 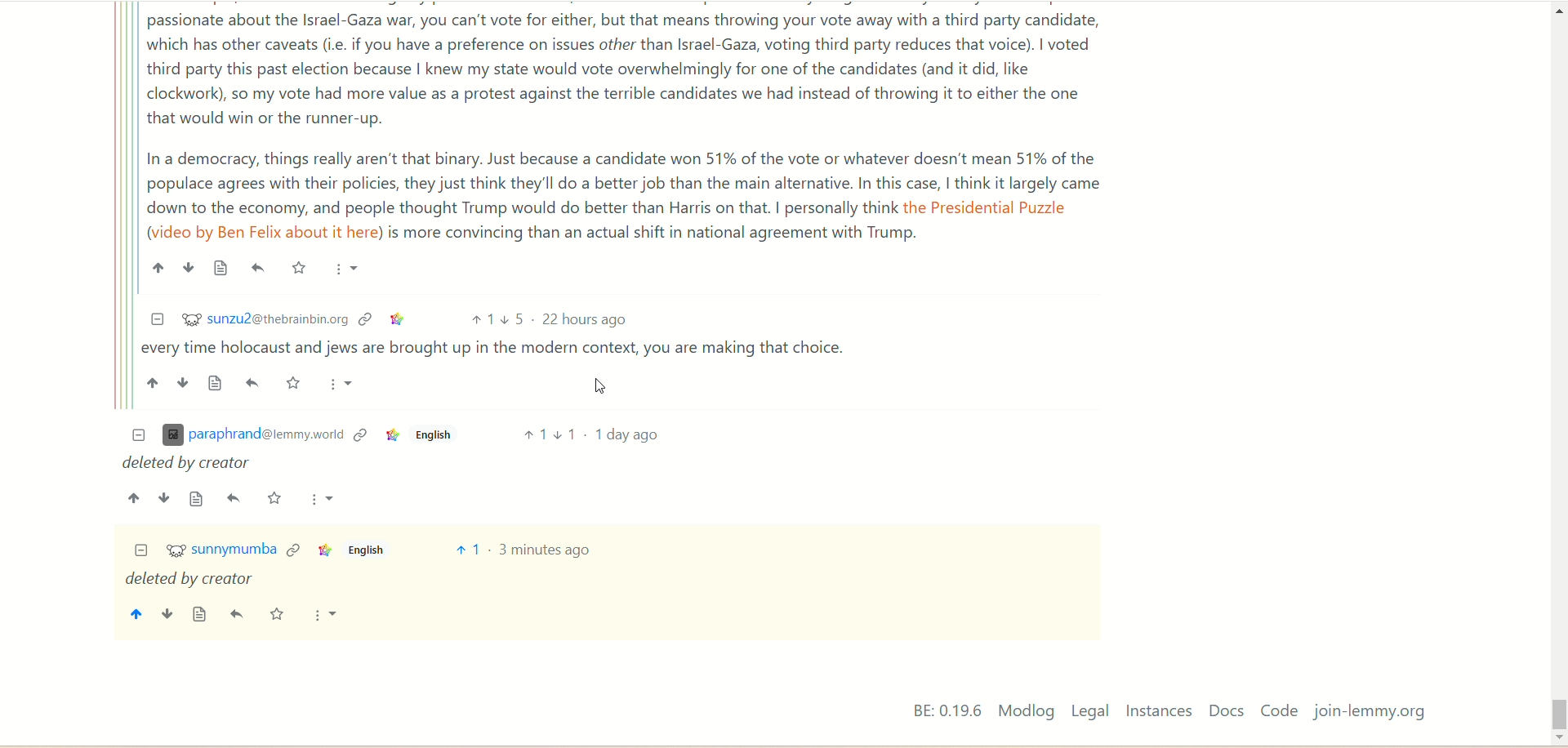 I want to click on Collapse, so click(x=157, y=319).